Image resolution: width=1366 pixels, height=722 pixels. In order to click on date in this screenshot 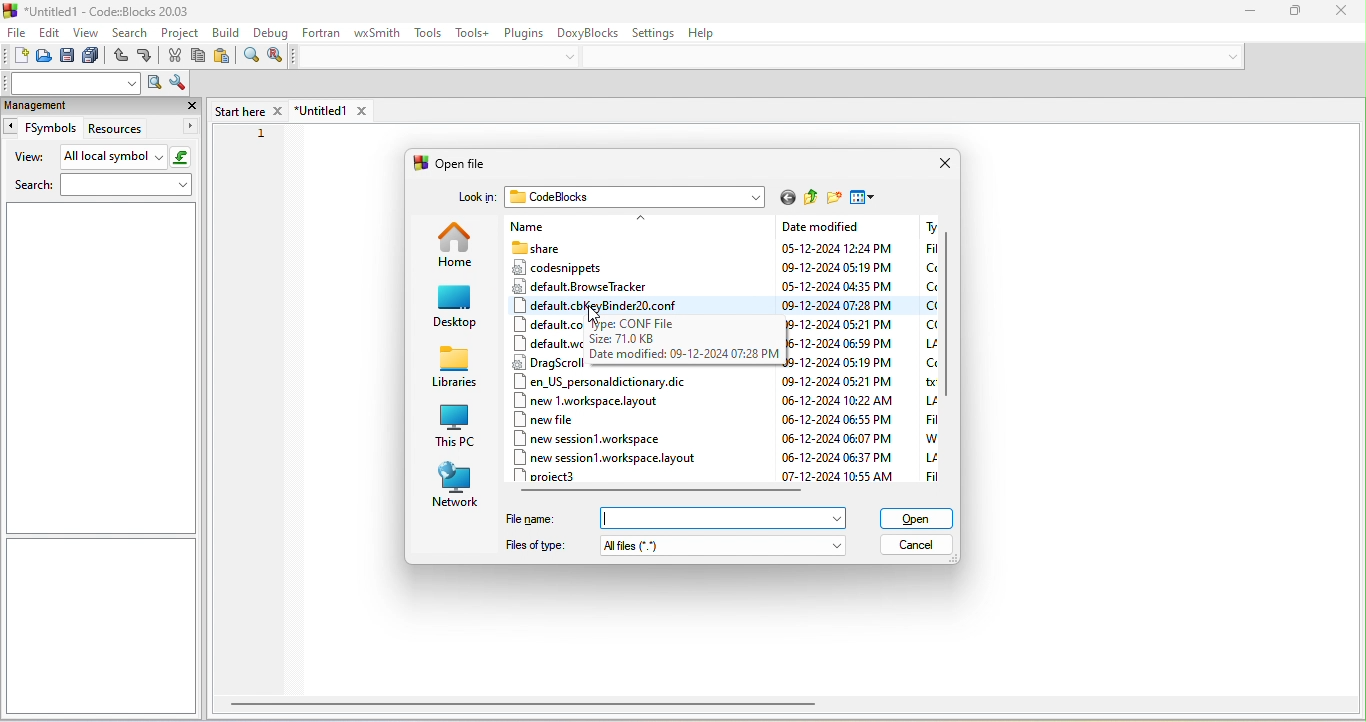, I will do `click(835, 438)`.